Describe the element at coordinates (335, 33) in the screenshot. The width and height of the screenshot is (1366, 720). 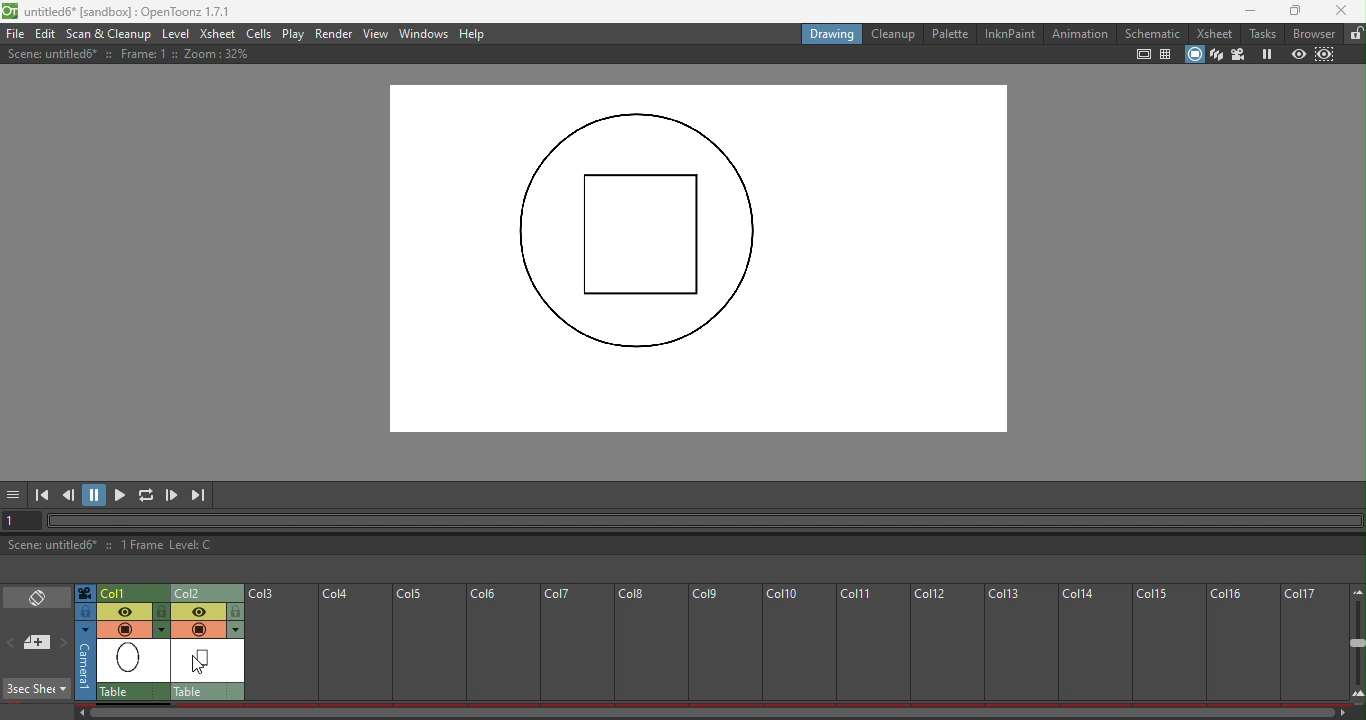
I see `Render` at that location.